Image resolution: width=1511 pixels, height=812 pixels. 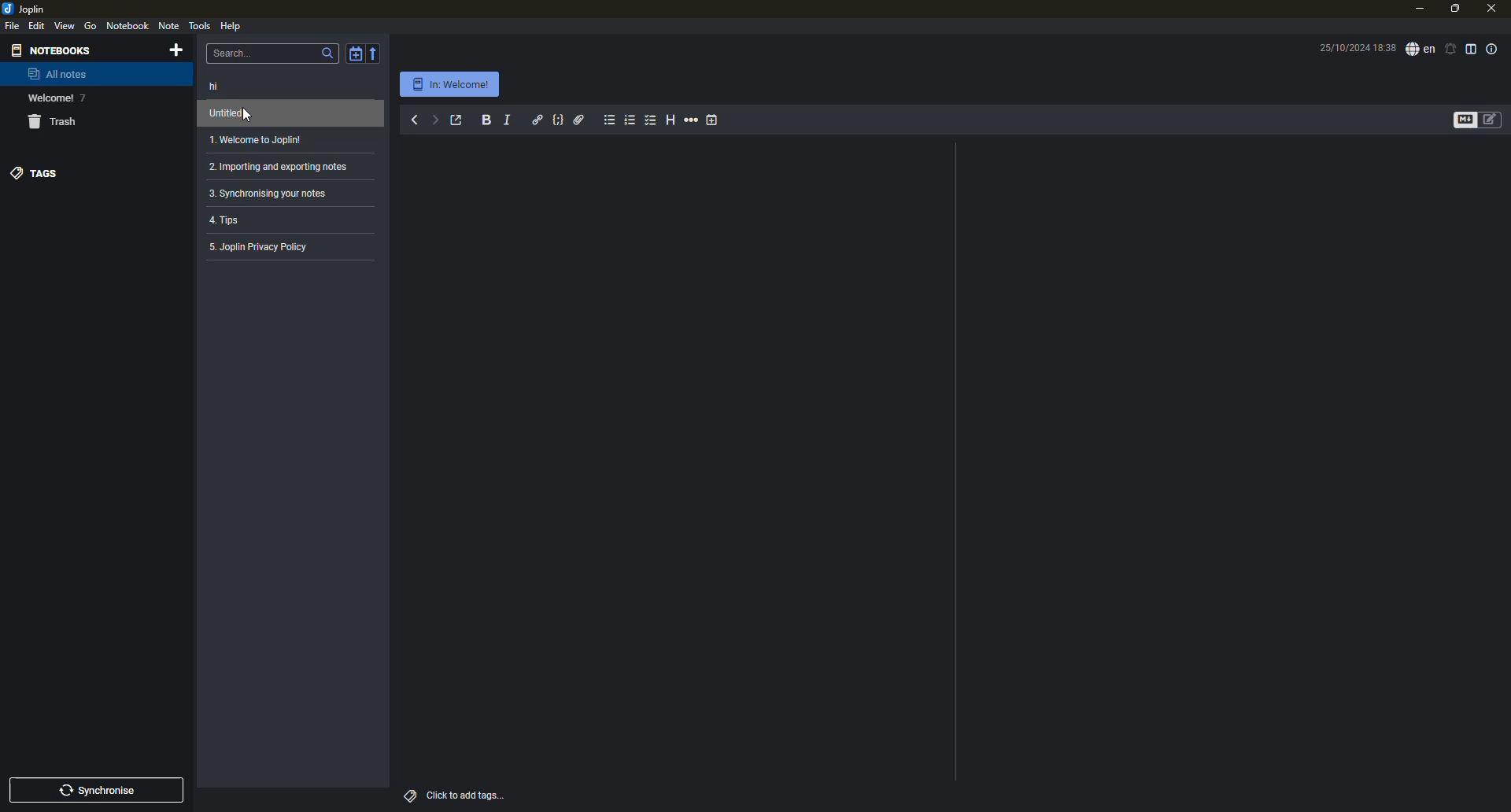 I want to click on trash, so click(x=50, y=121).